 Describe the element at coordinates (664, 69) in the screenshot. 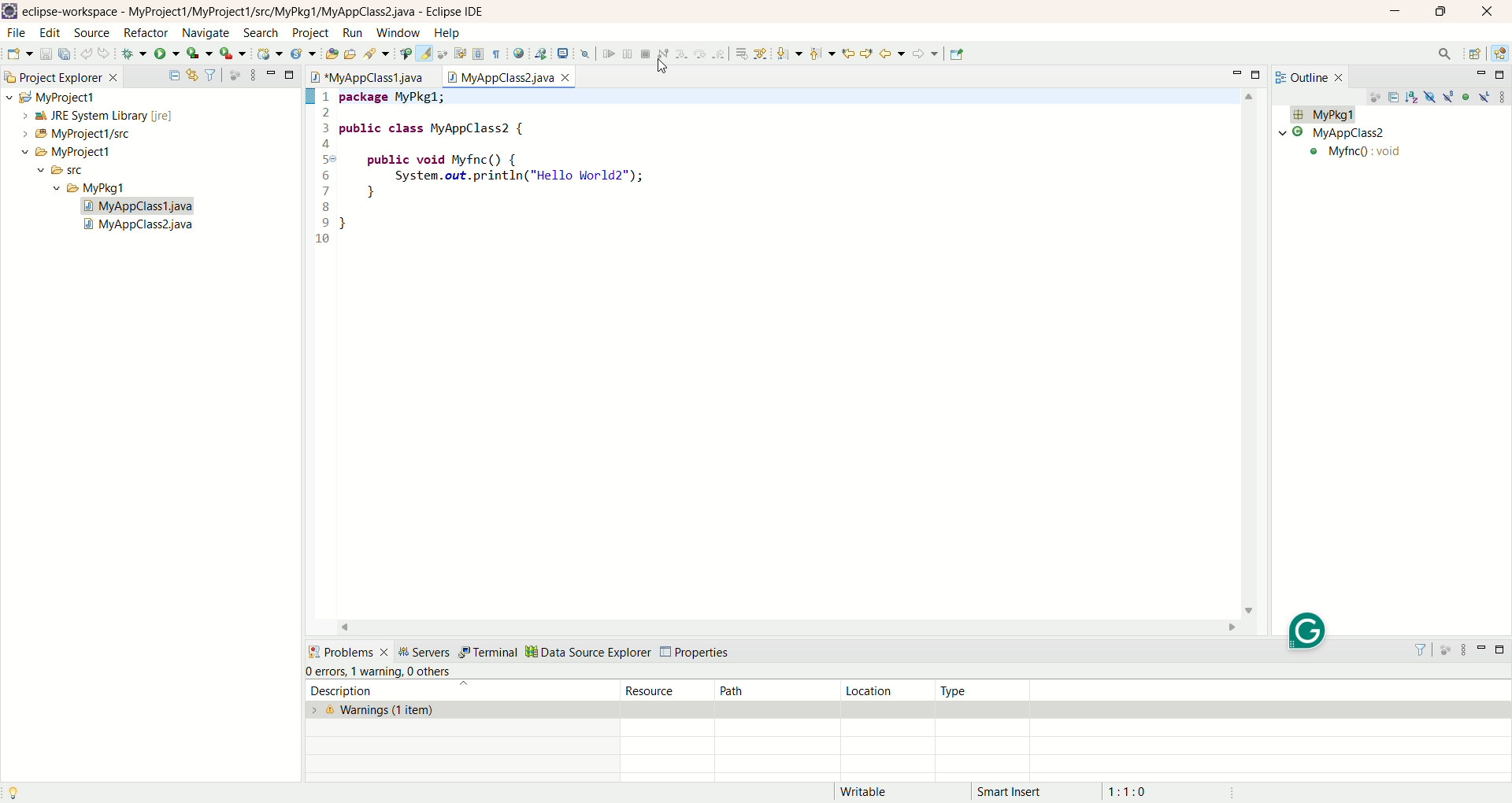

I see `cursor` at that location.